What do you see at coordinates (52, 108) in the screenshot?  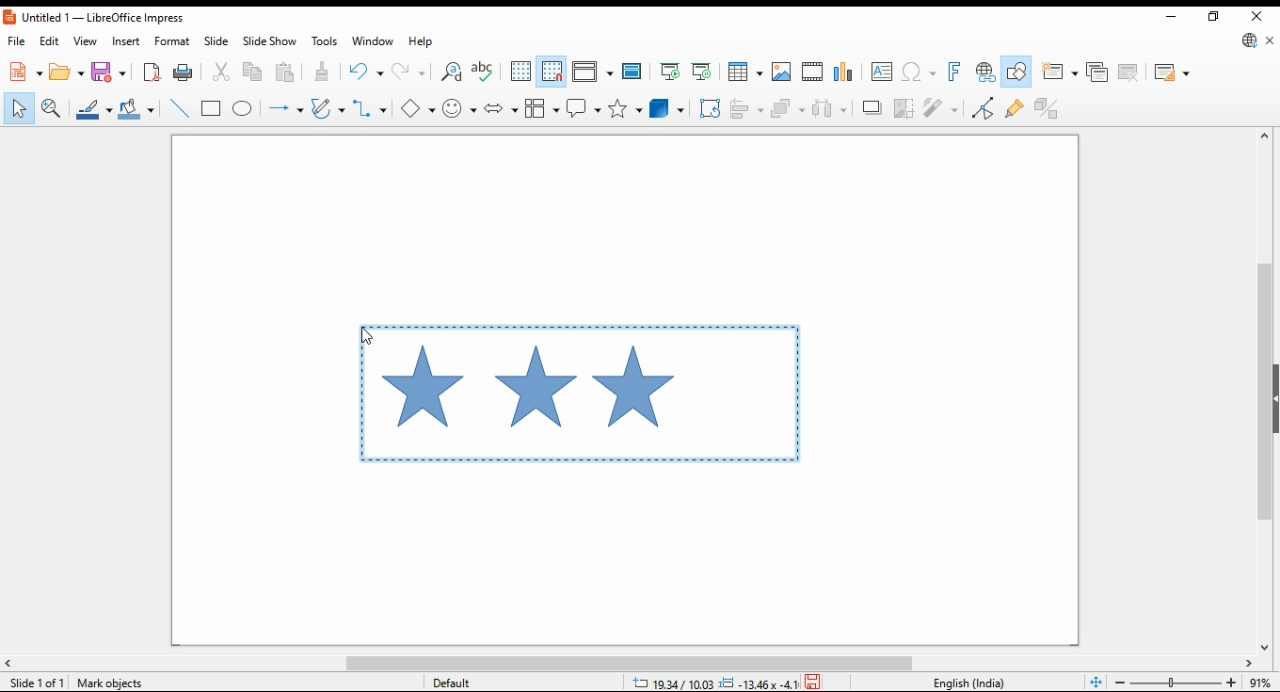 I see `pan and zoom` at bounding box center [52, 108].